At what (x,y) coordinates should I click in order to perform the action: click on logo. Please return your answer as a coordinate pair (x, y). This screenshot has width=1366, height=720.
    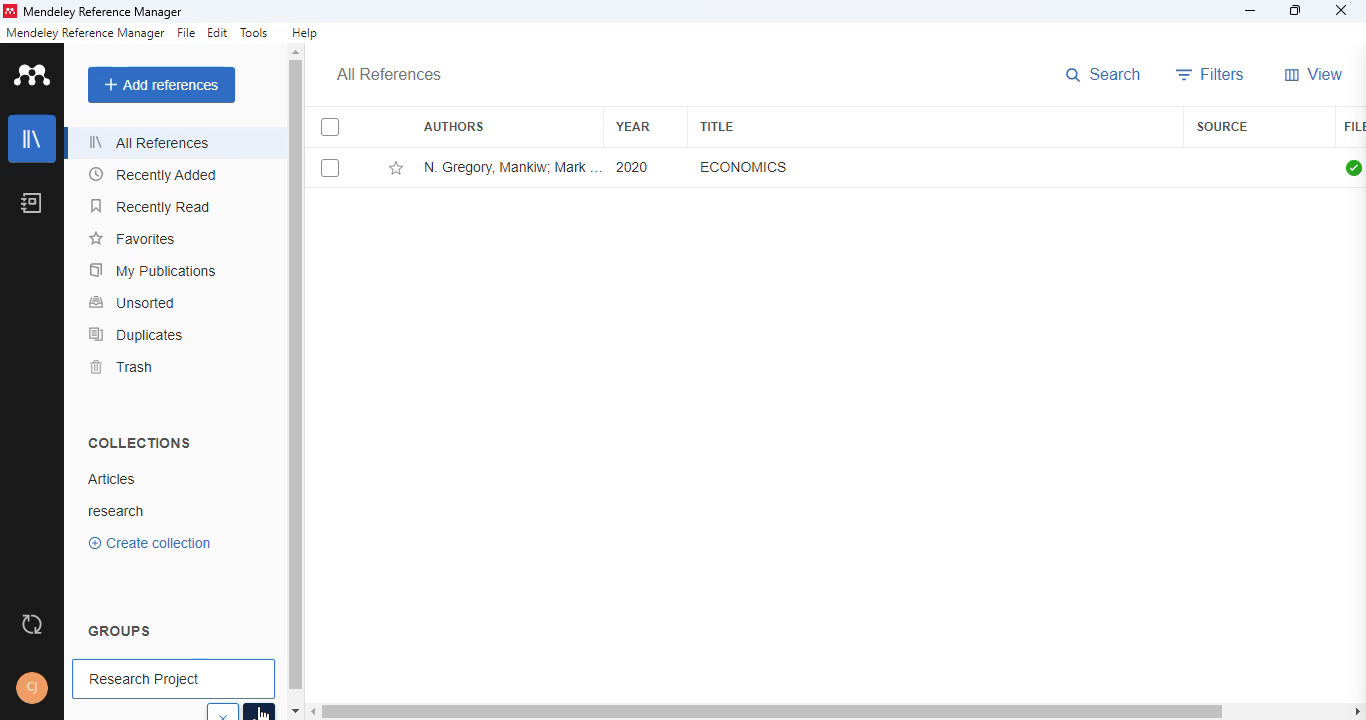
    Looking at the image, I should click on (10, 11).